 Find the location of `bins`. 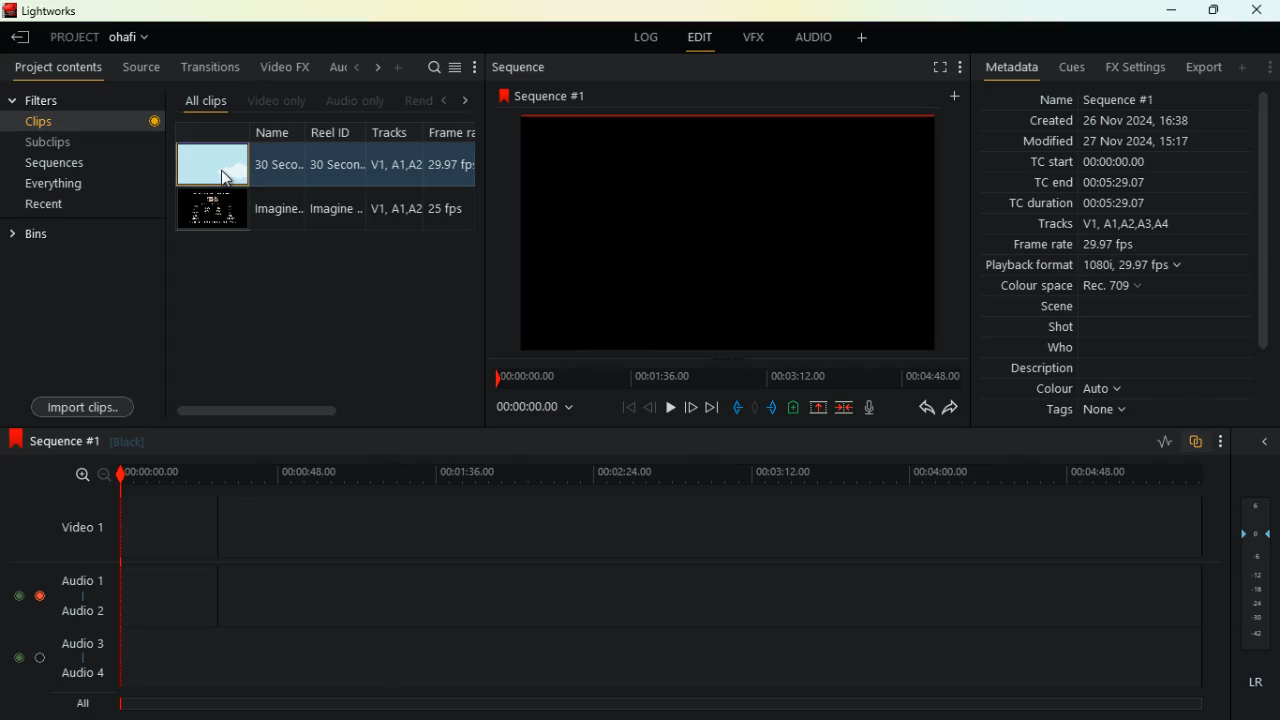

bins is located at coordinates (46, 234).